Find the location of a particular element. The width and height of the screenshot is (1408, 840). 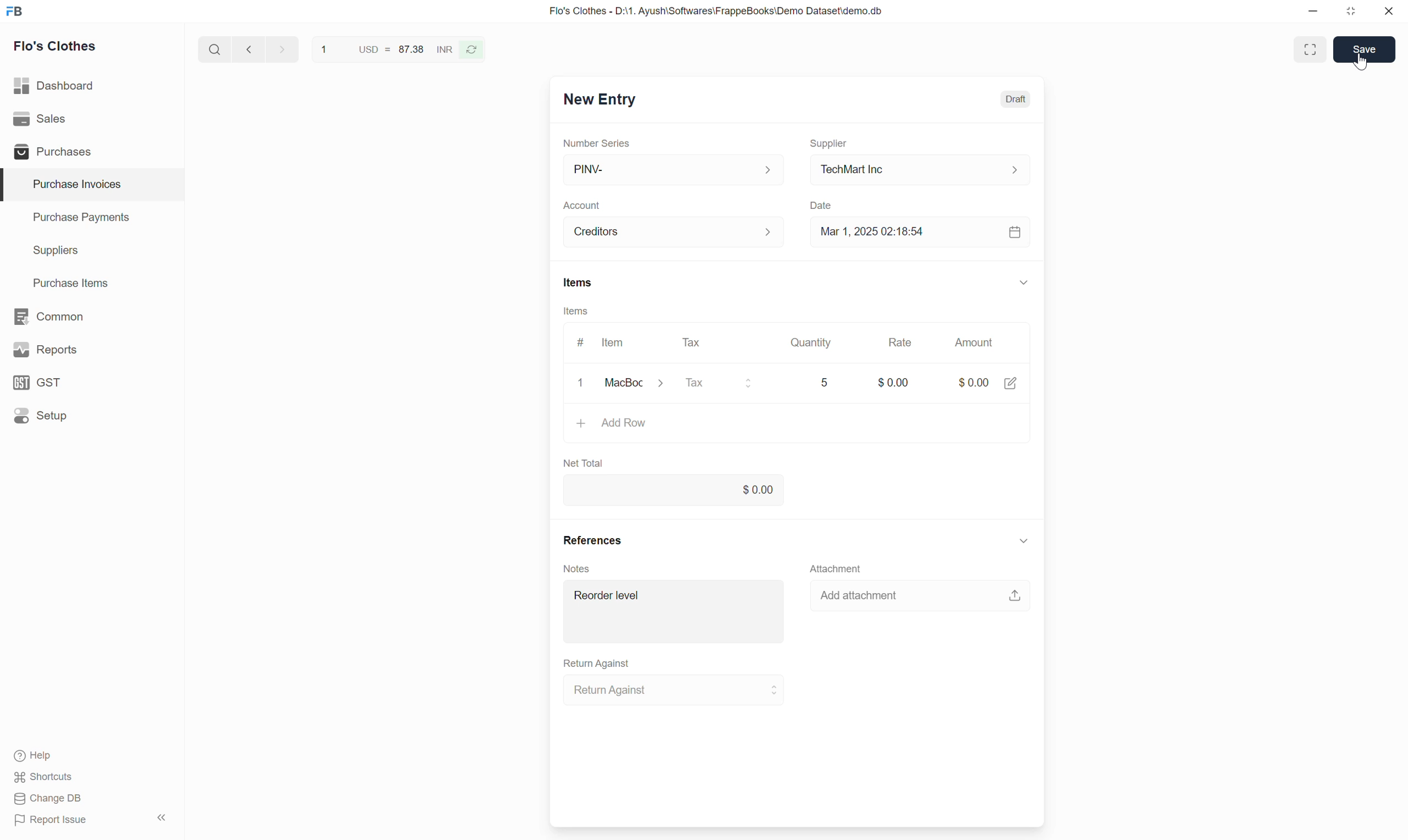

Close is located at coordinates (1389, 11).